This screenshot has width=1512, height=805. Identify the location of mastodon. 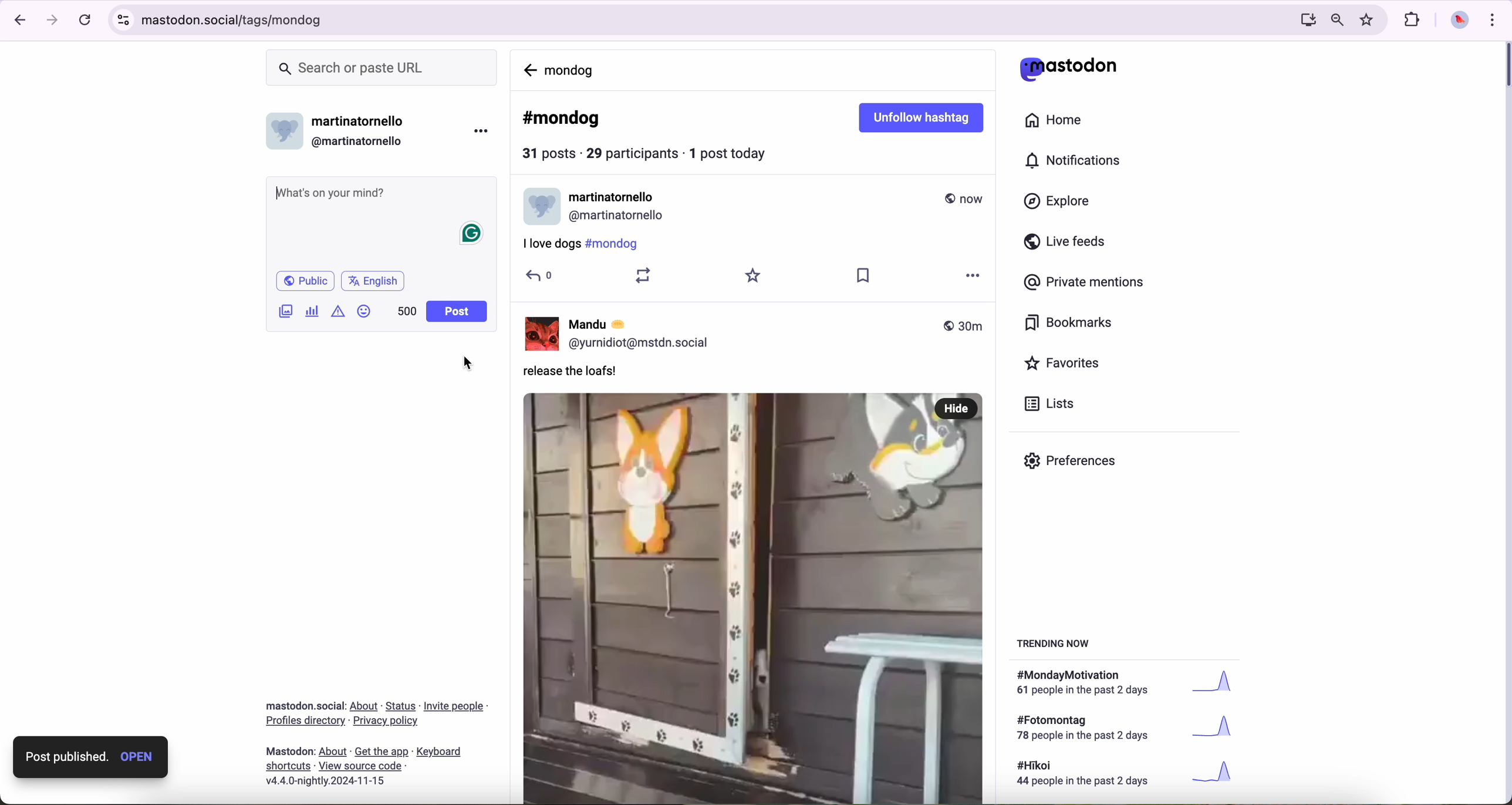
(291, 751).